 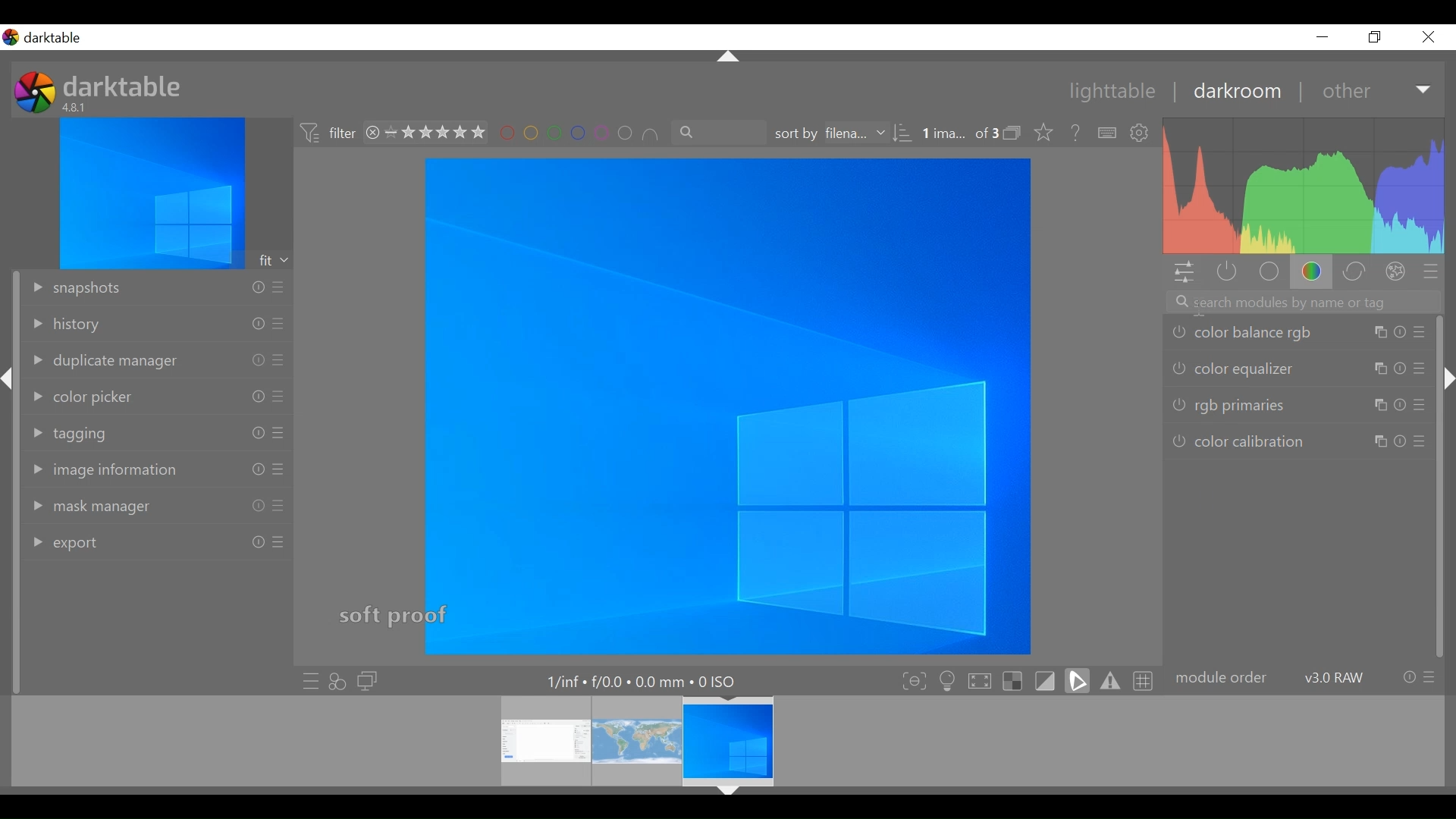 What do you see at coordinates (1187, 272) in the screenshot?
I see `quick access panel` at bounding box center [1187, 272].